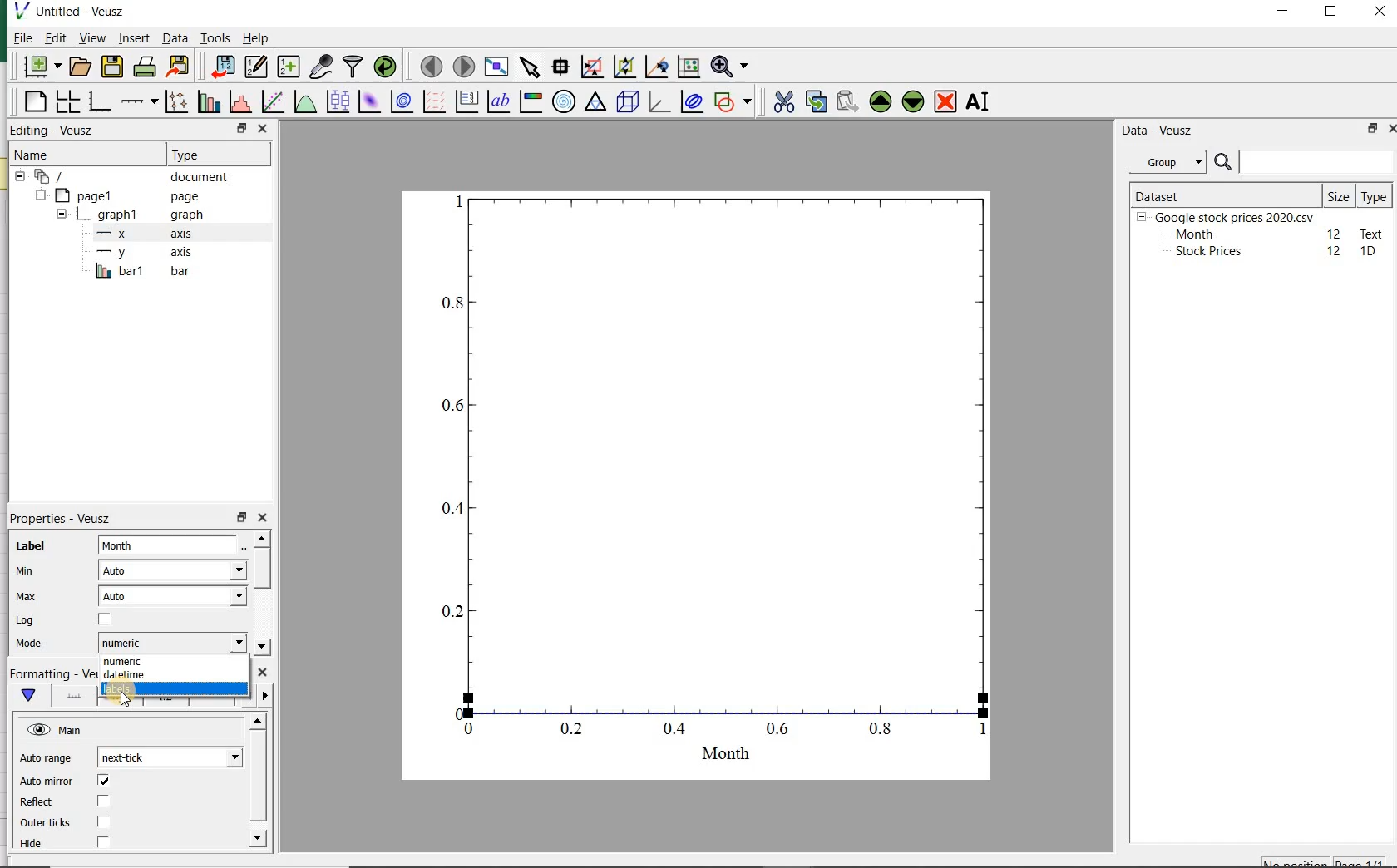  What do you see at coordinates (103, 821) in the screenshot?
I see `check/uncheck` at bounding box center [103, 821].